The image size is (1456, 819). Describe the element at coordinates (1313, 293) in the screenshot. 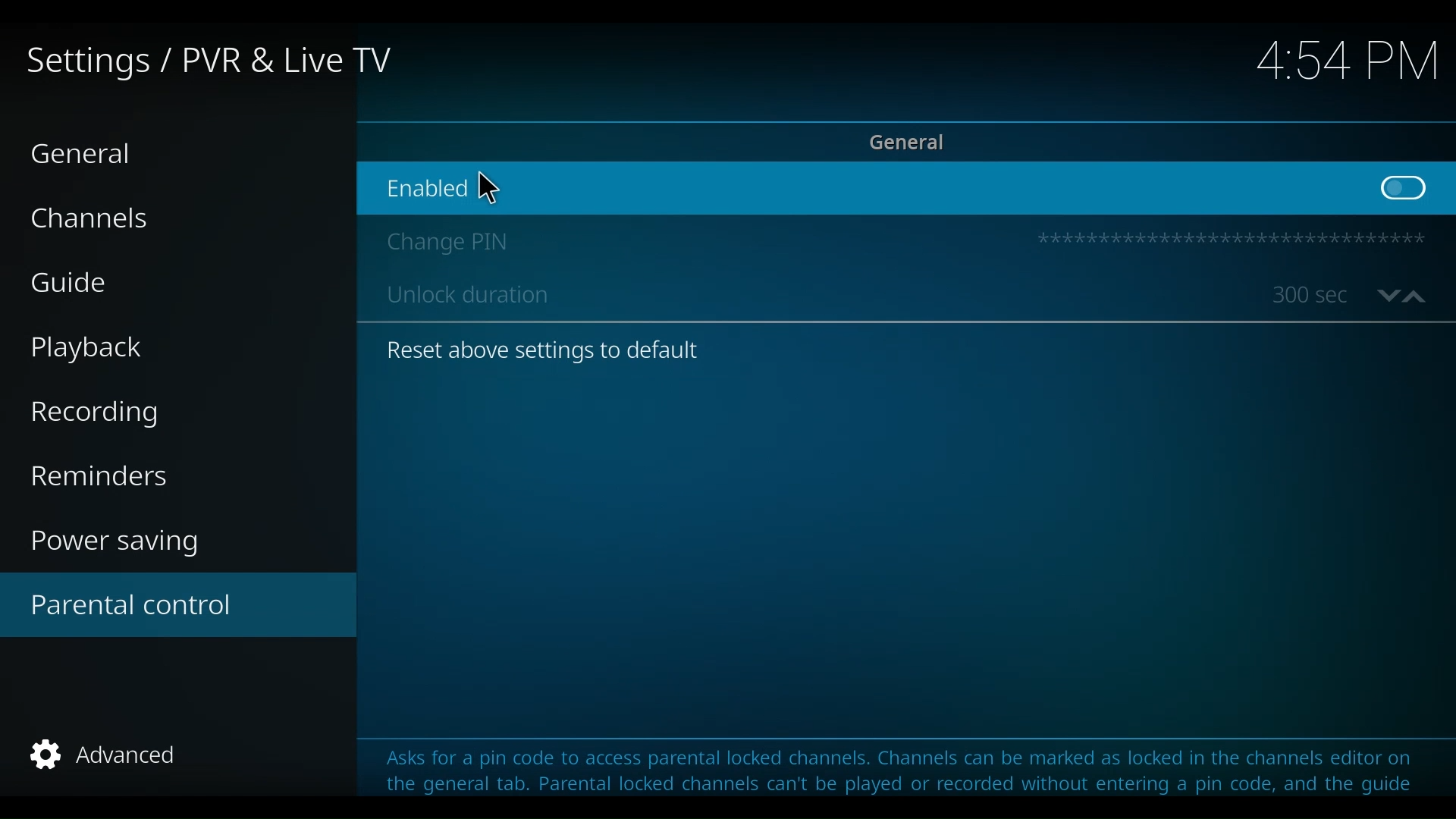

I see `unlock duration in seconds` at that location.